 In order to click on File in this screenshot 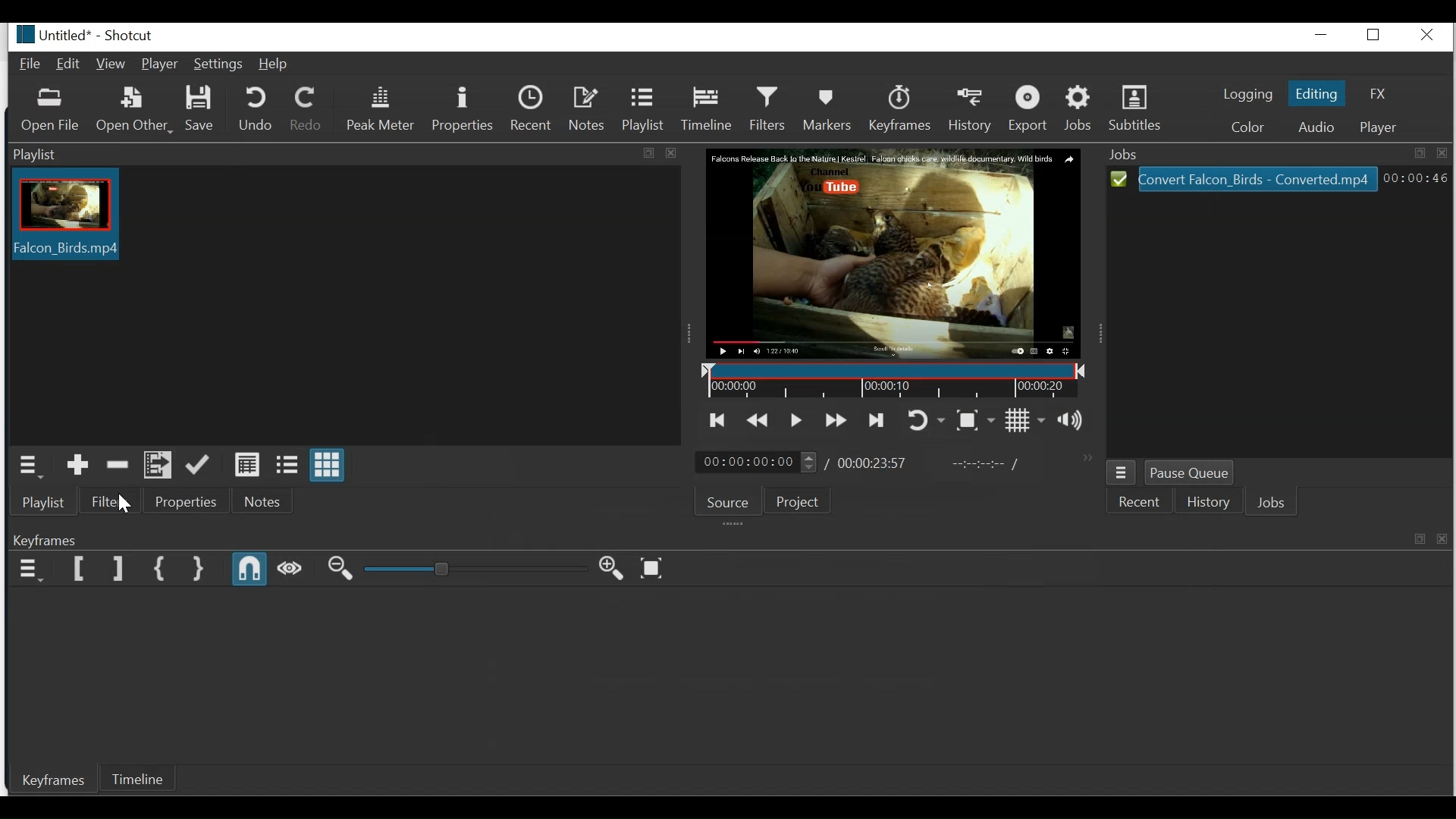, I will do `click(33, 65)`.